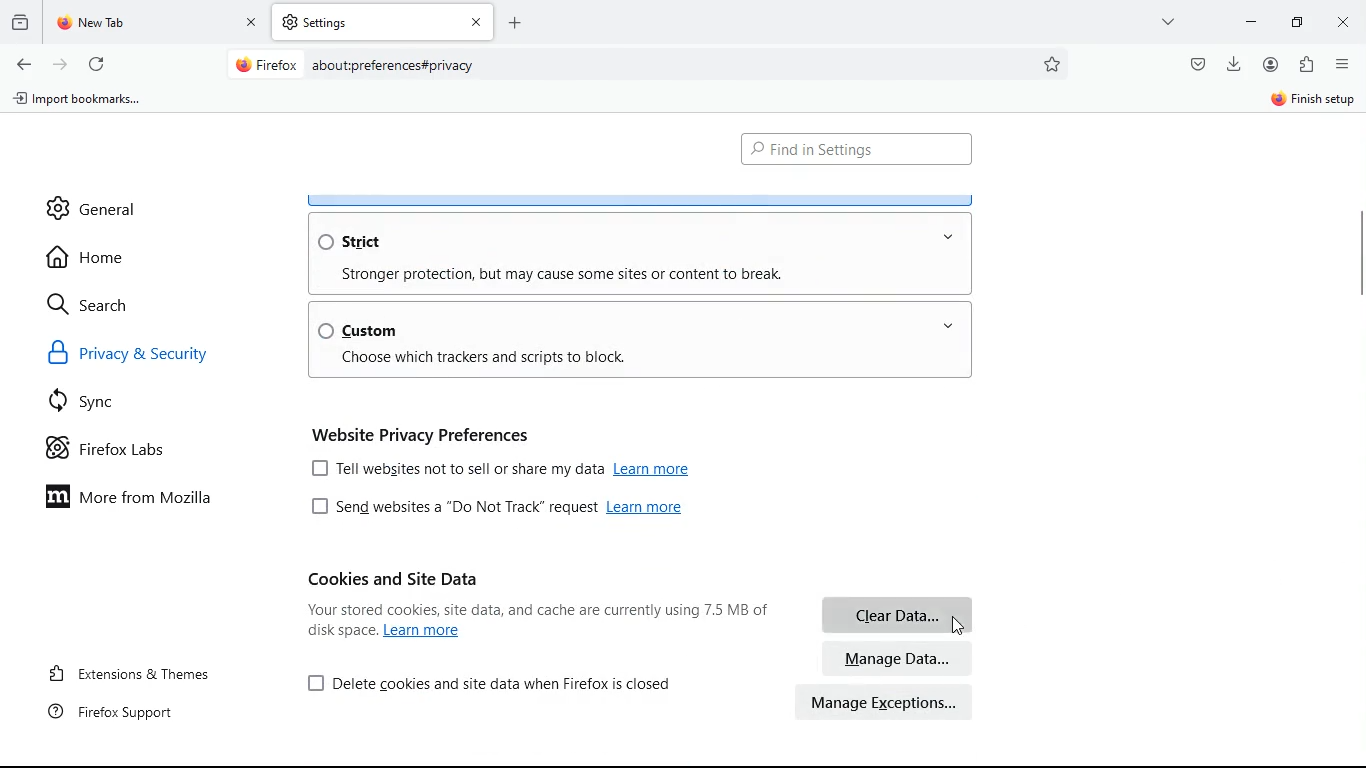  What do you see at coordinates (124, 711) in the screenshot?
I see `firefox support` at bounding box center [124, 711].